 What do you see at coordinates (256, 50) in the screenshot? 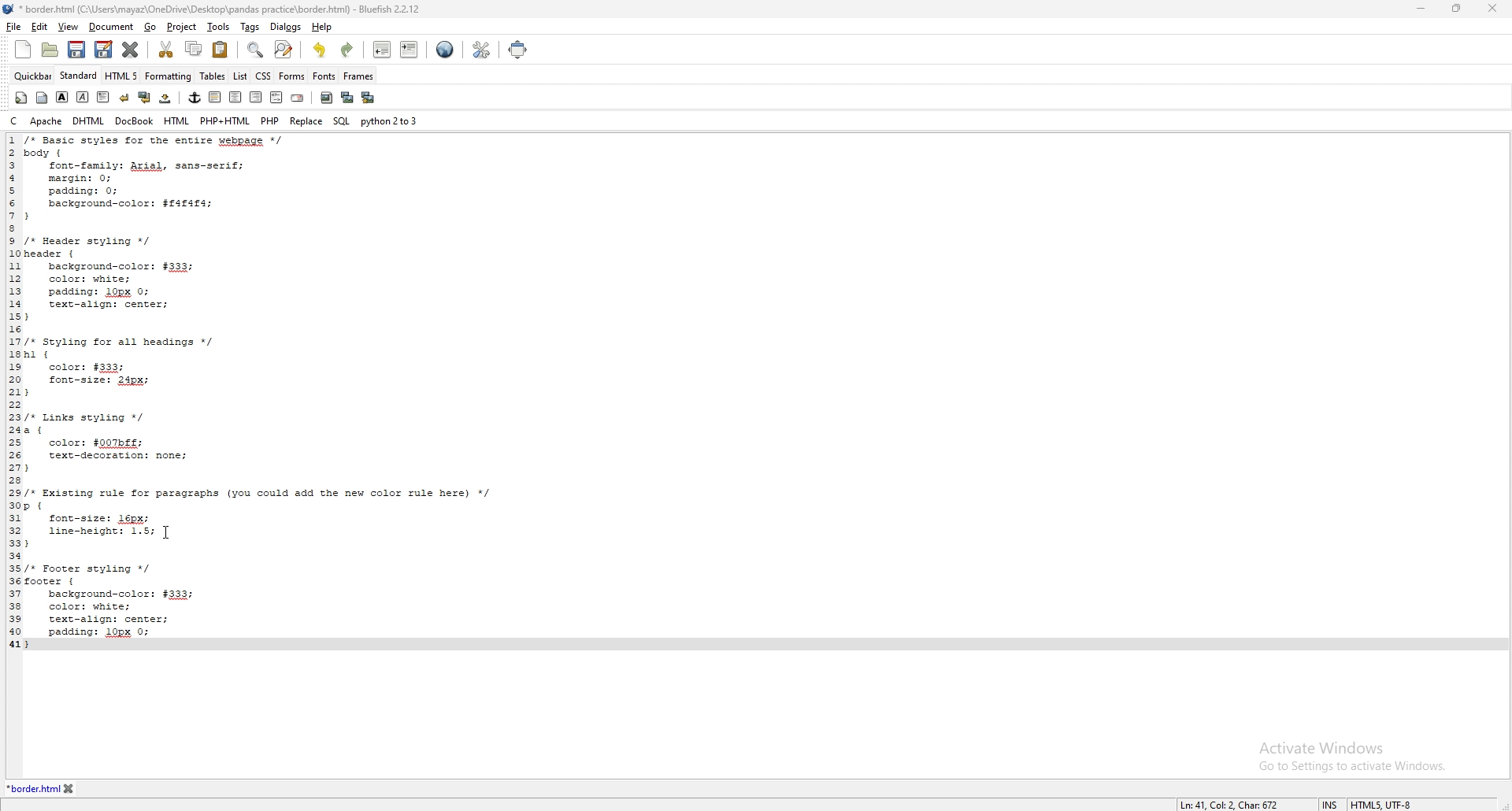
I see `find bar` at bounding box center [256, 50].